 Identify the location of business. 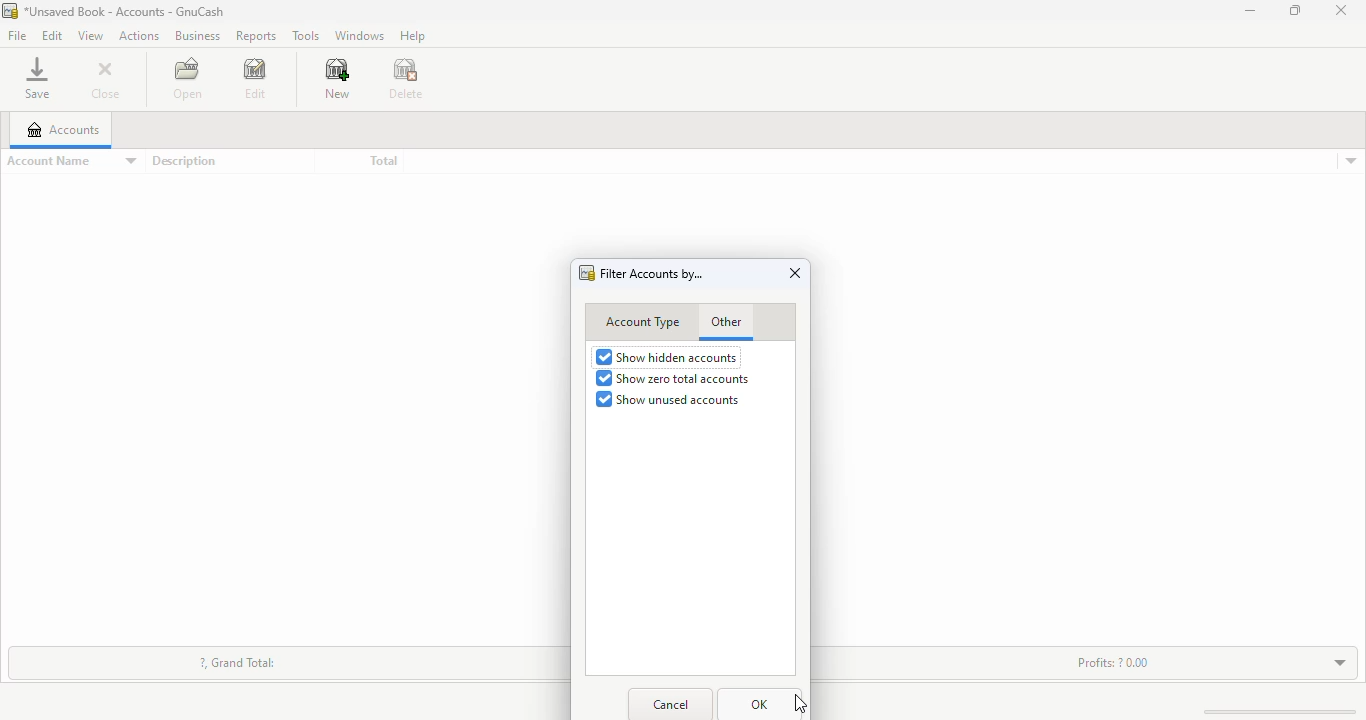
(197, 35).